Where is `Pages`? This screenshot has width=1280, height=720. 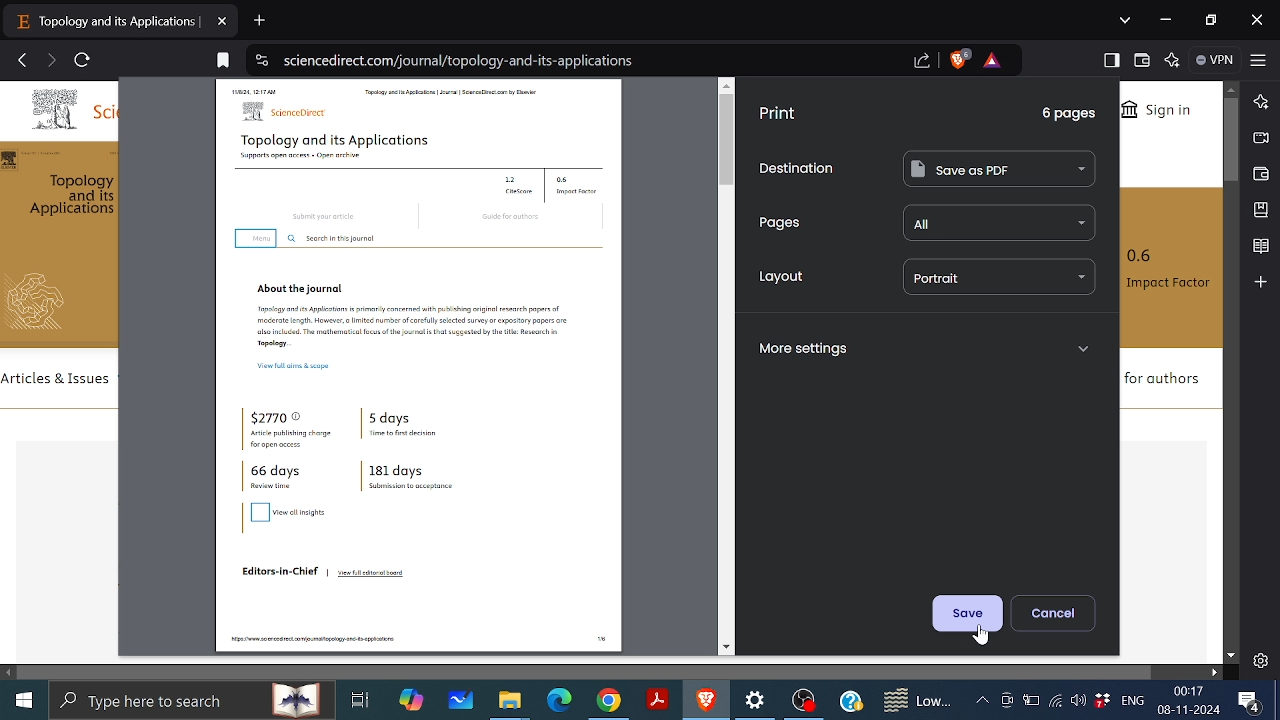
Pages is located at coordinates (785, 224).